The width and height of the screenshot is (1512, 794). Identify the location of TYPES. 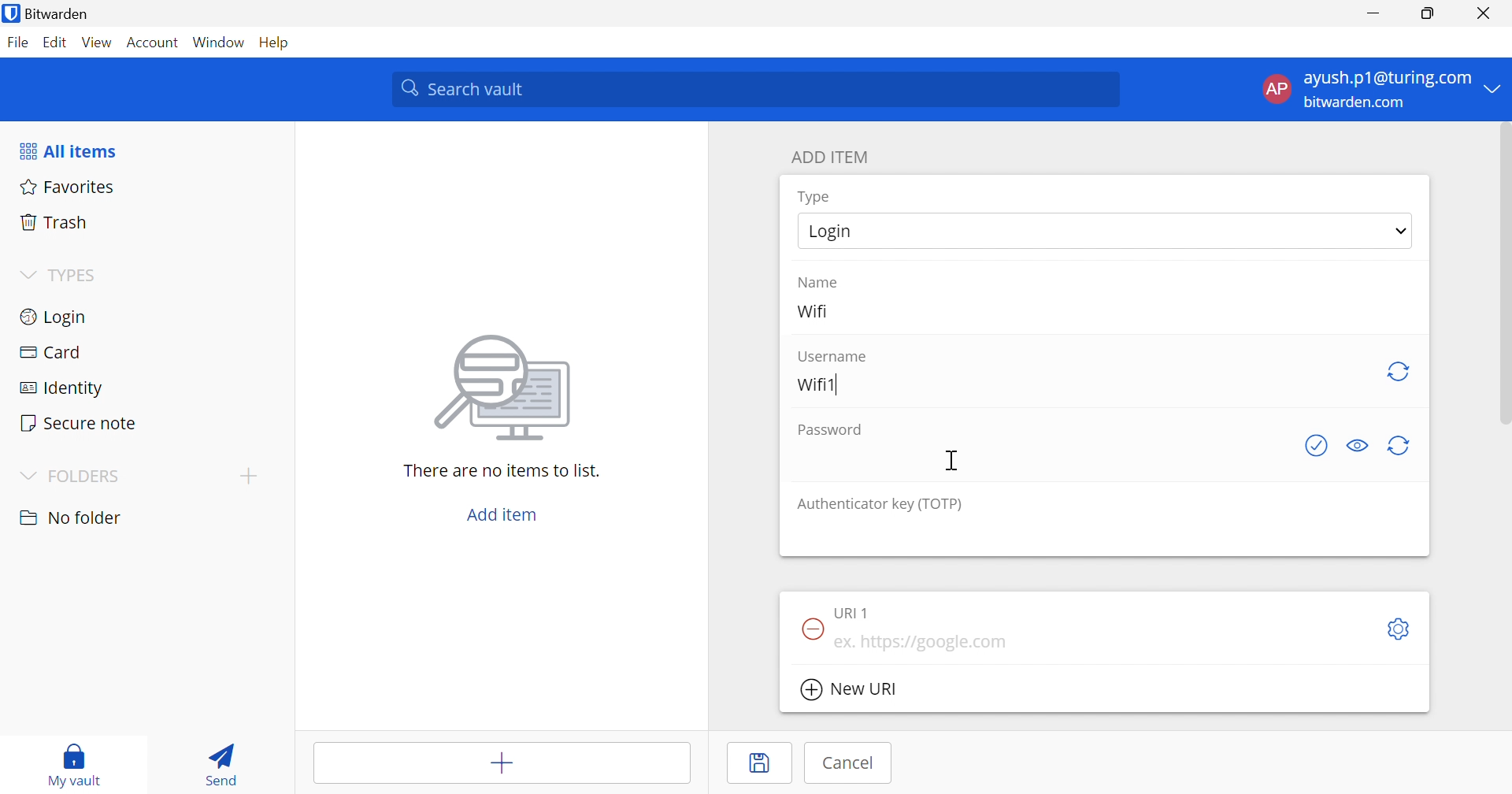
(76, 278).